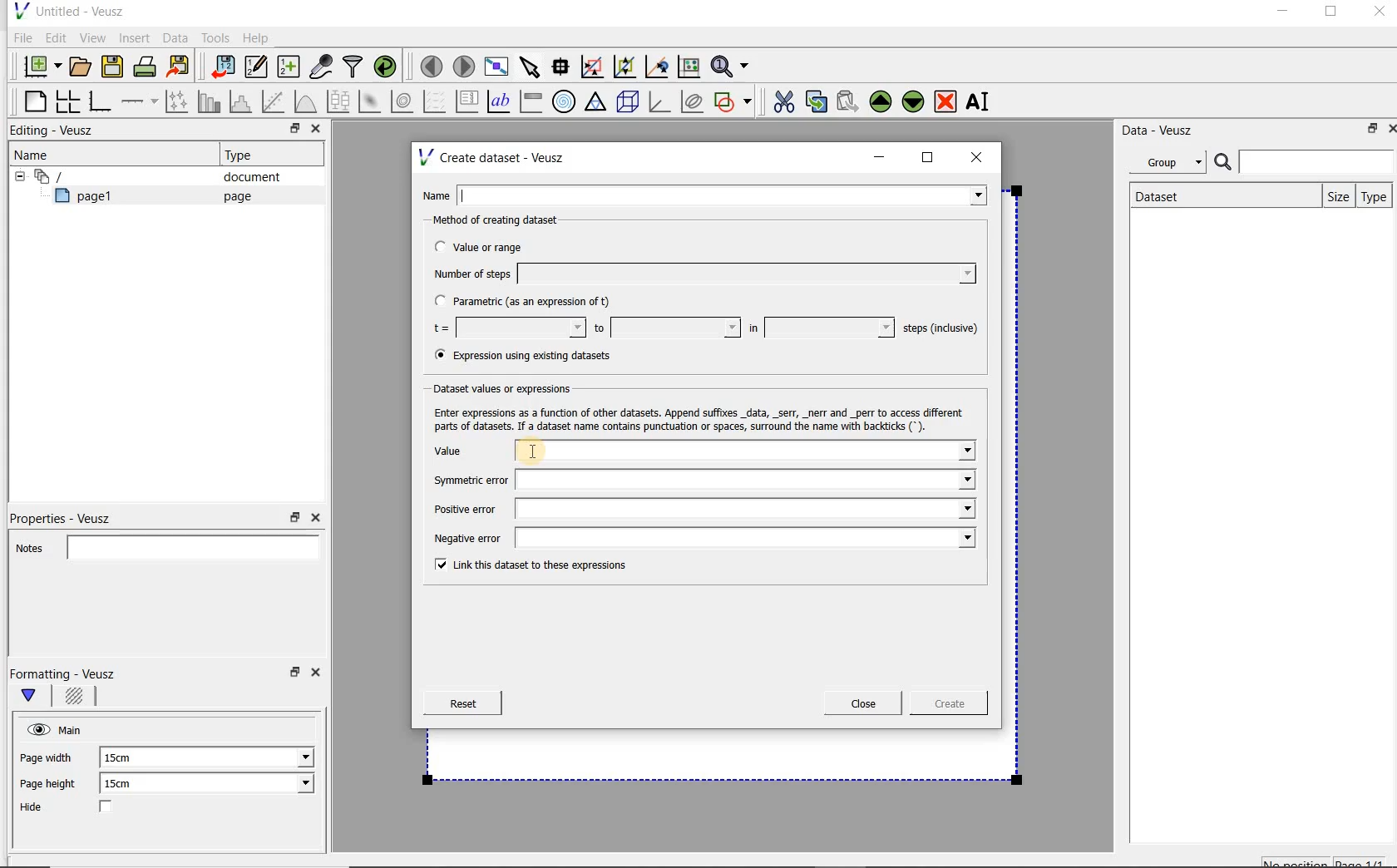 The image size is (1397, 868). What do you see at coordinates (731, 62) in the screenshot?
I see `Zoom functions menu` at bounding box center [731, 62].